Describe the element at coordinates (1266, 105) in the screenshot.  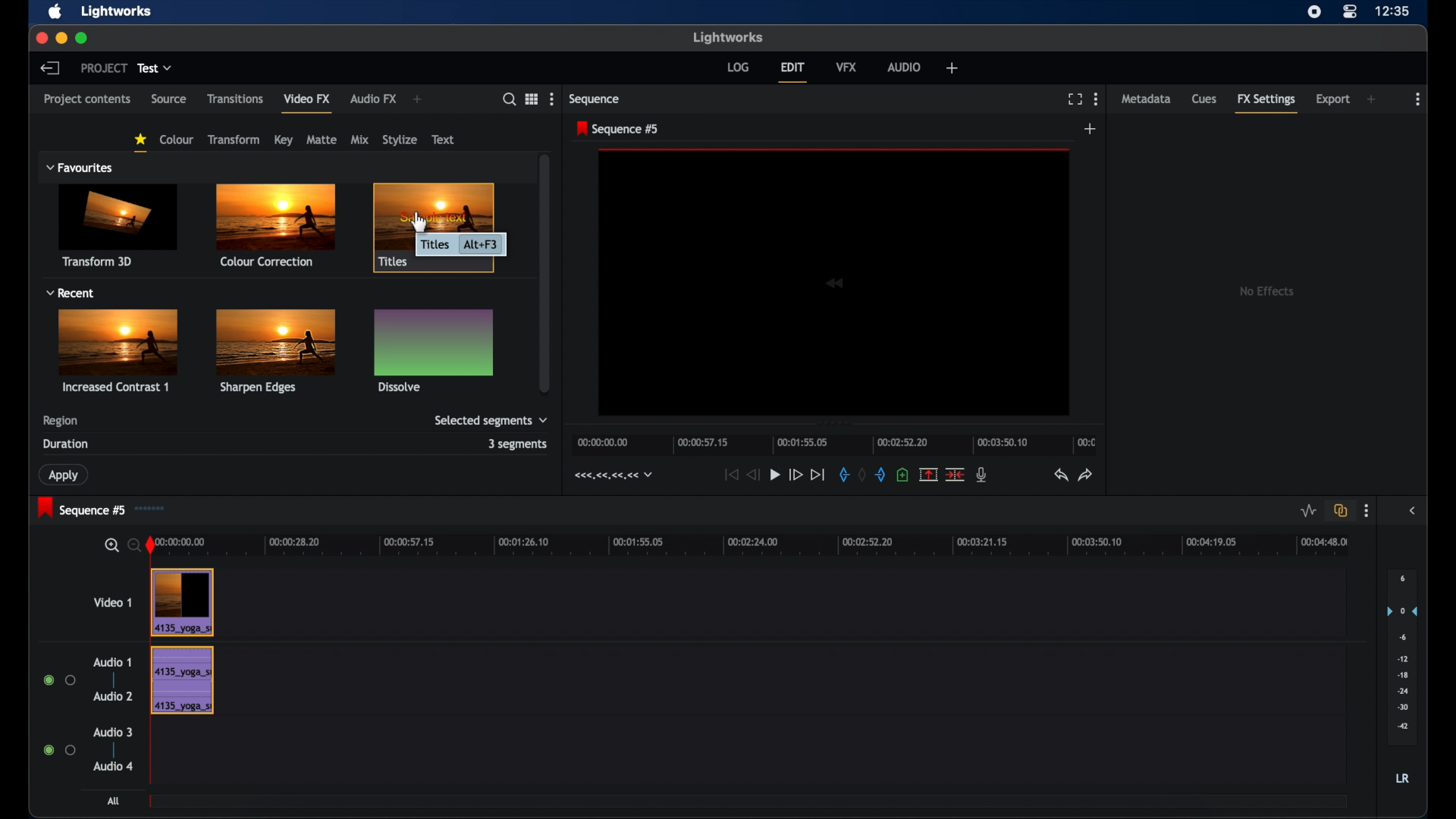
I see `fx settings` at that location.